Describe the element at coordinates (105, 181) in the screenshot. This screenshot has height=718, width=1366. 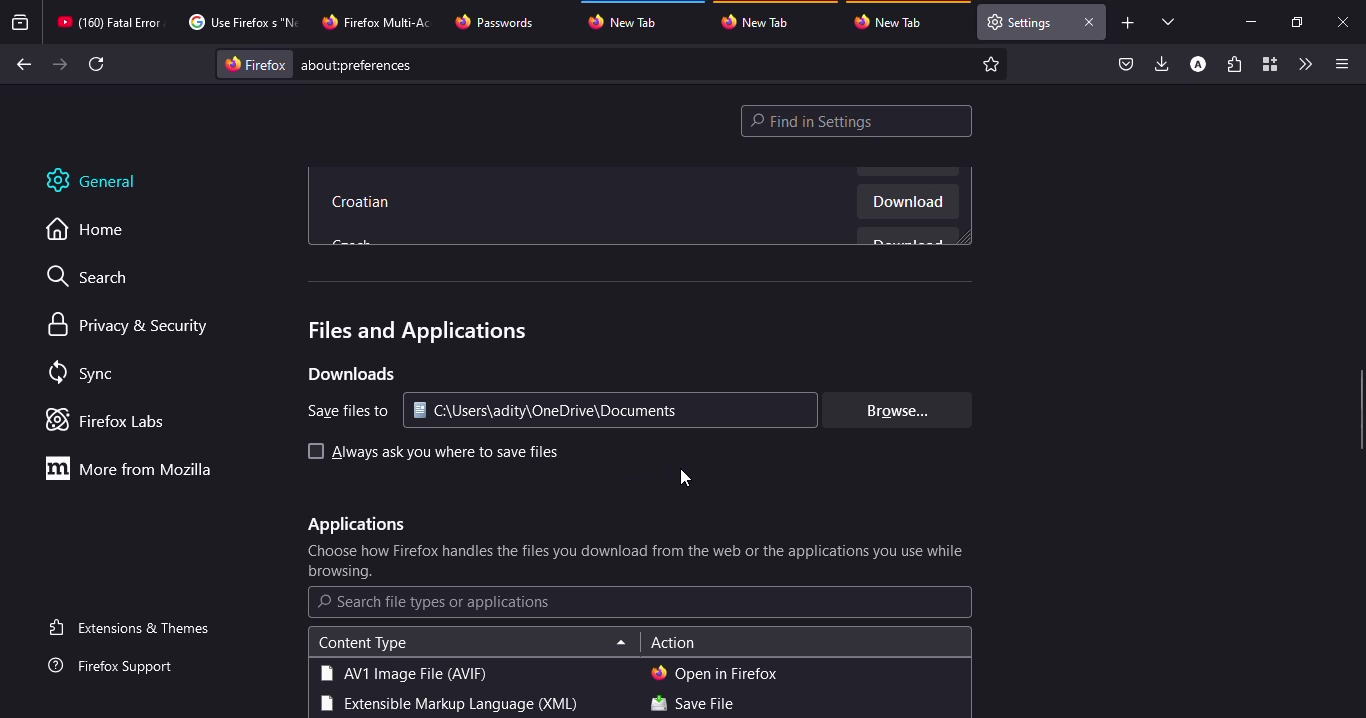
I see `general` at that location.